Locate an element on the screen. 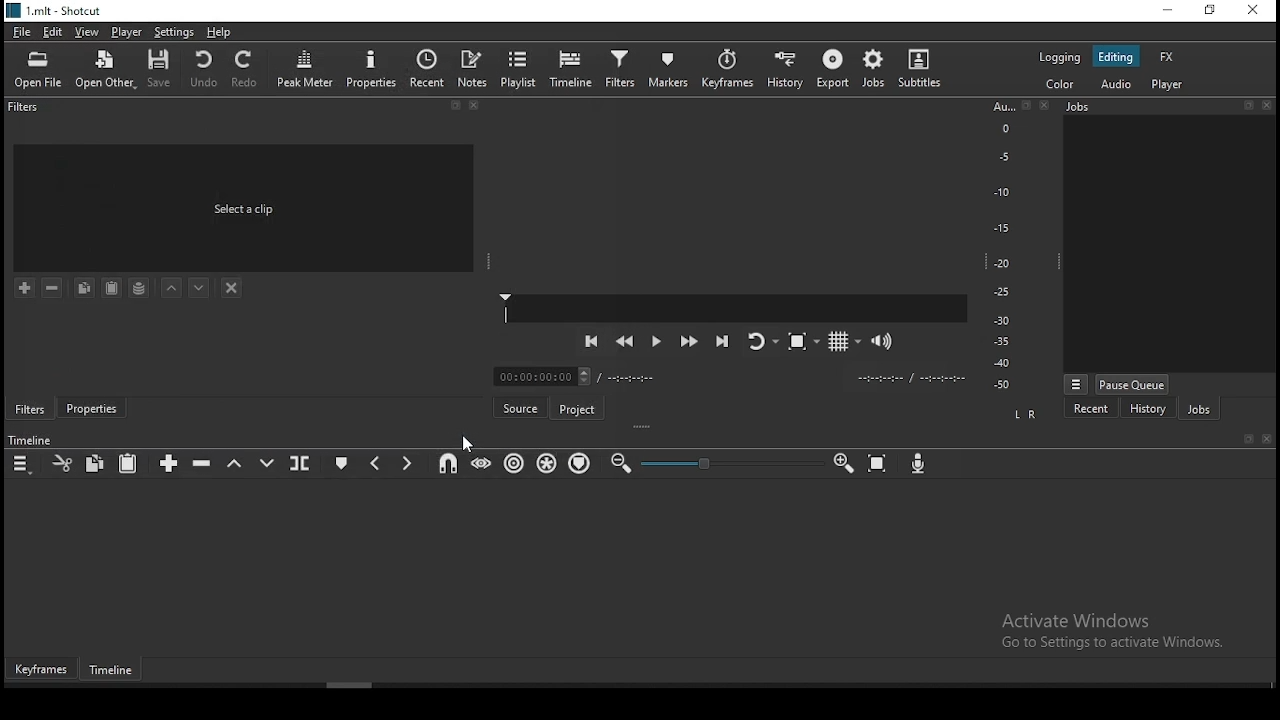 The width and height of the screenshot is (1280, 720). show volume control is located at coordinates (885, 338).